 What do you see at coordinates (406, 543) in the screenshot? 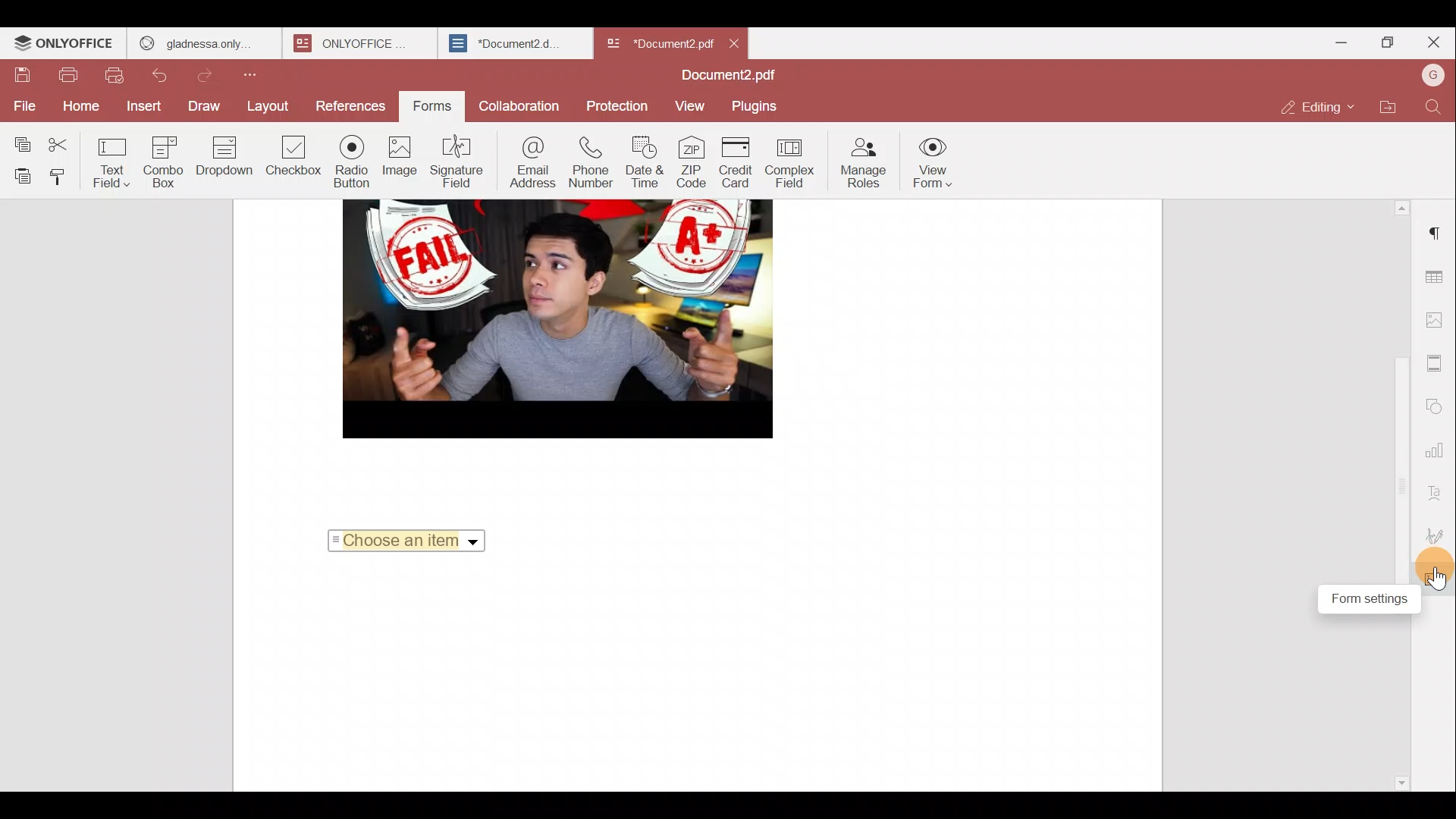
I see `Choose an item` at bounding box center [406, 543].